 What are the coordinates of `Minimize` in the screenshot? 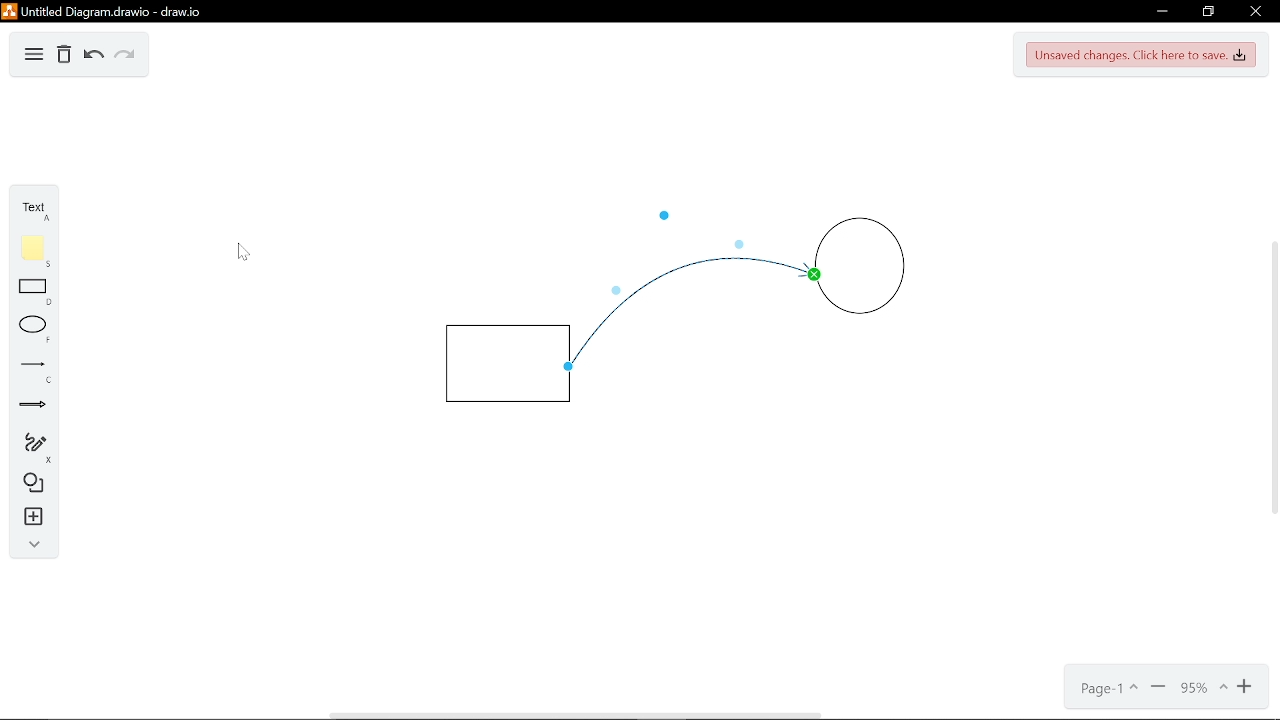 It's located at (1162, 11).